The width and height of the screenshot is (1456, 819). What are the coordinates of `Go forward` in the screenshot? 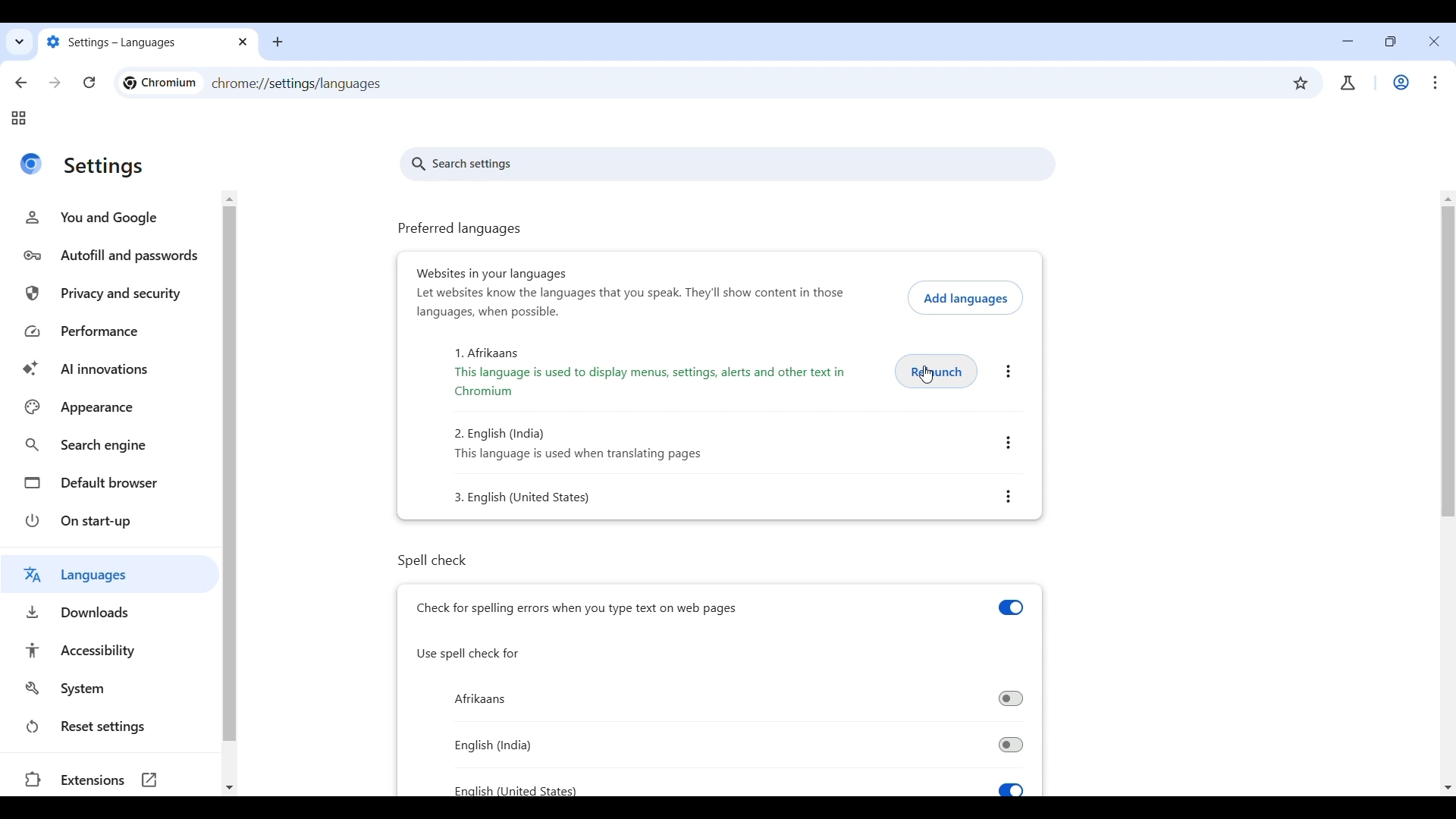 It's located at (54, 83).